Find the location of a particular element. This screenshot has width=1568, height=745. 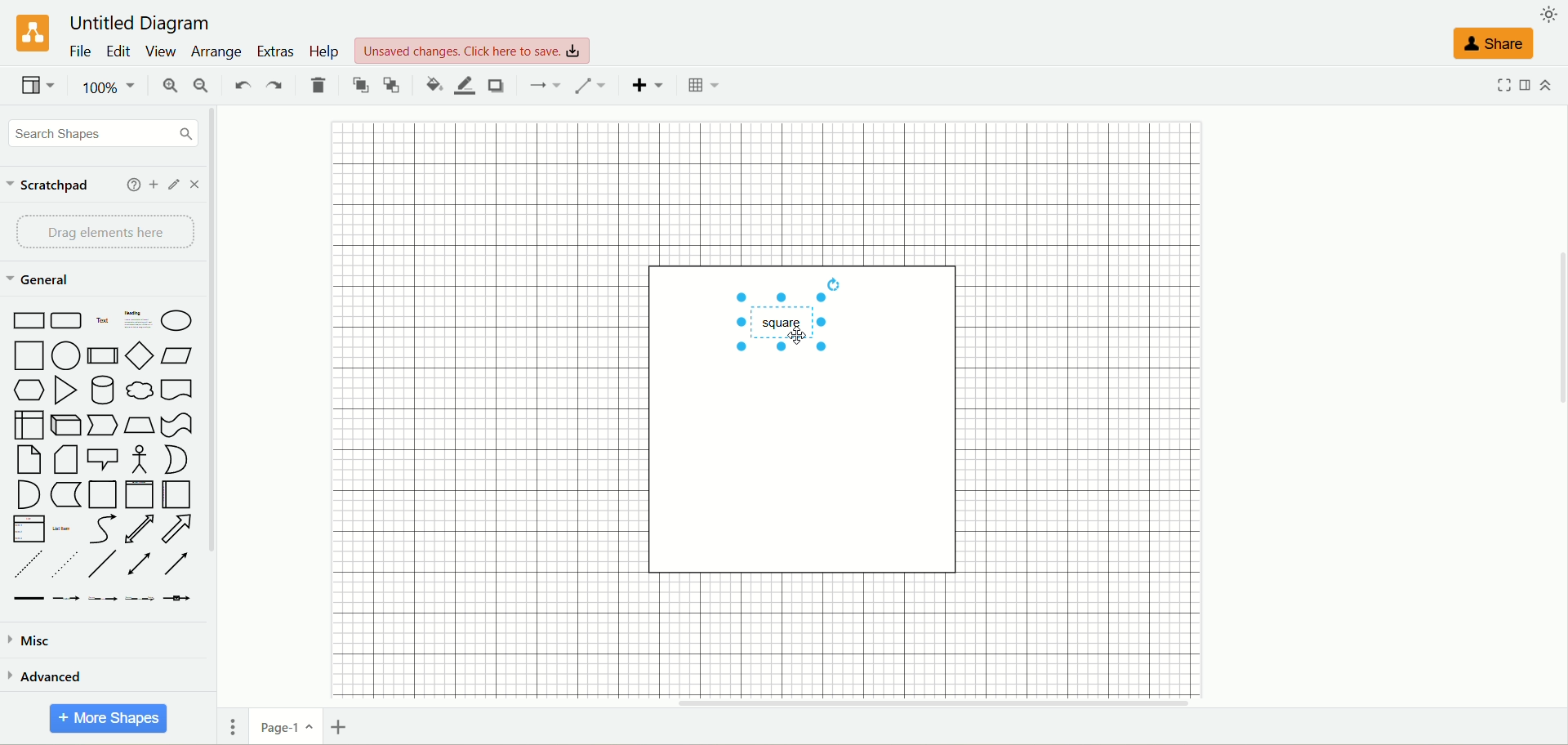

title is located at coordinates (141, 21).